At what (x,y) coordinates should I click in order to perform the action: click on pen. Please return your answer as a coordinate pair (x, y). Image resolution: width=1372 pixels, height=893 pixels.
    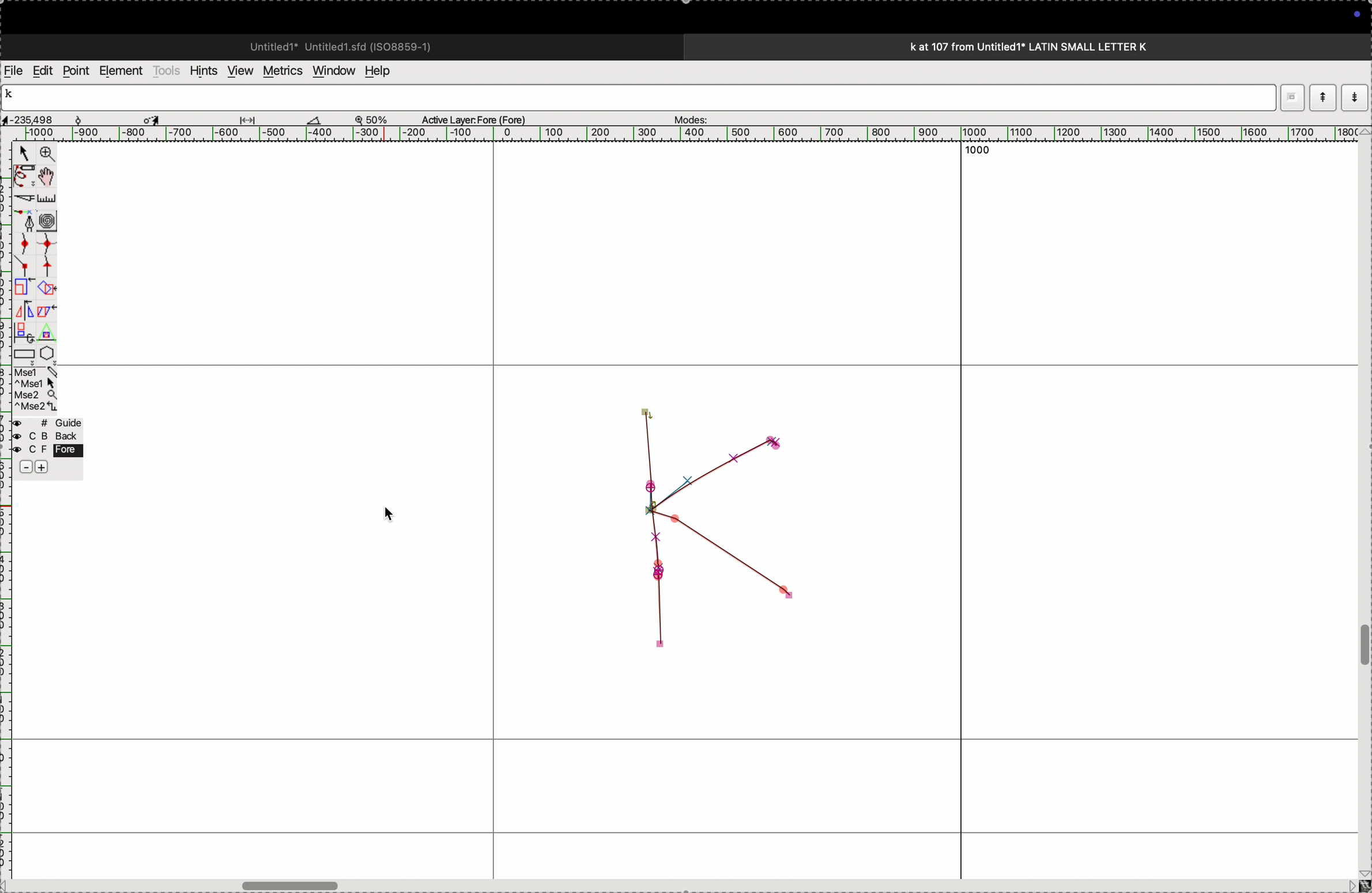
    Looking at the image, I should click on (24, 176).